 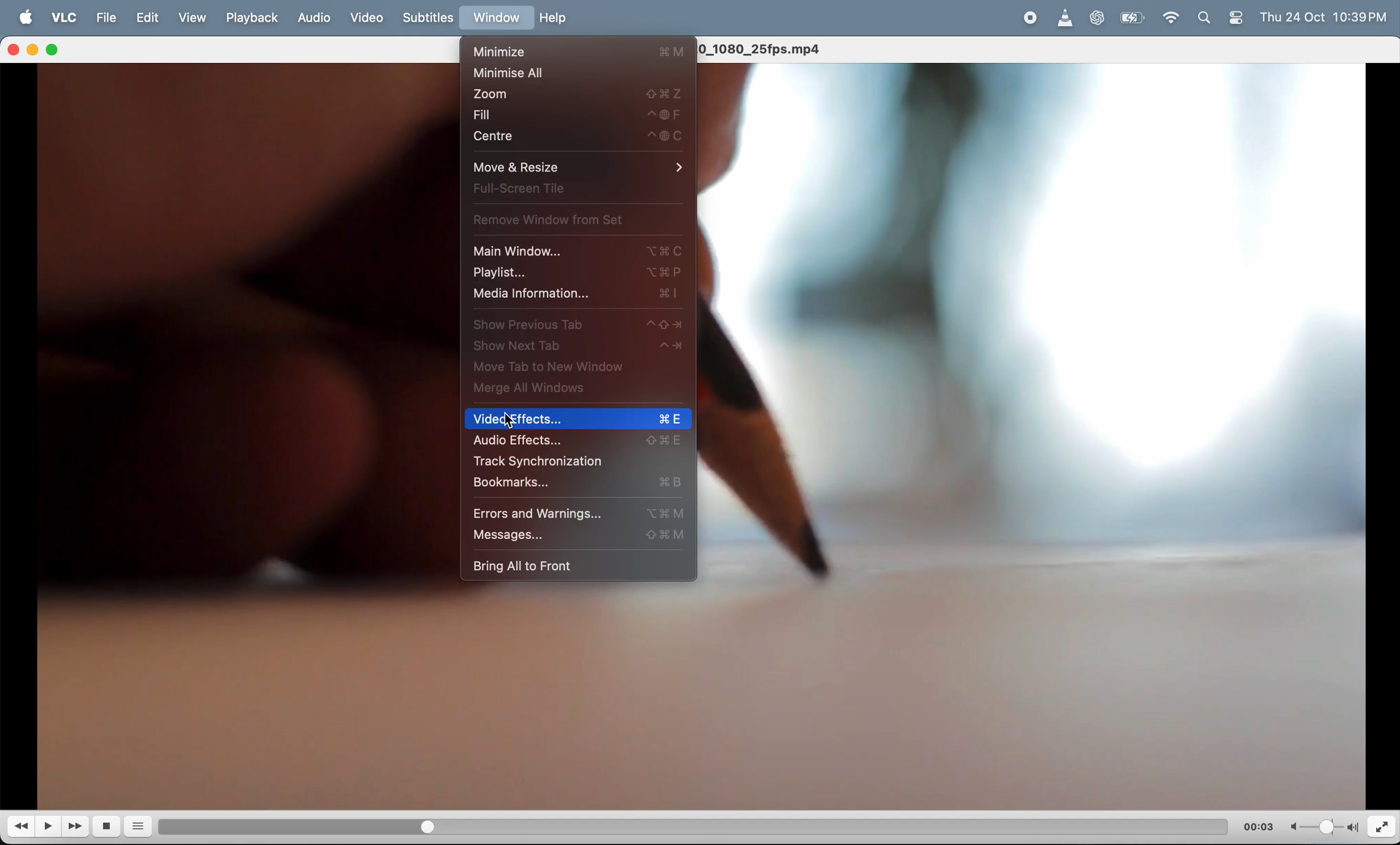 I want to click on bookmarks, so click(x=576, y=486).